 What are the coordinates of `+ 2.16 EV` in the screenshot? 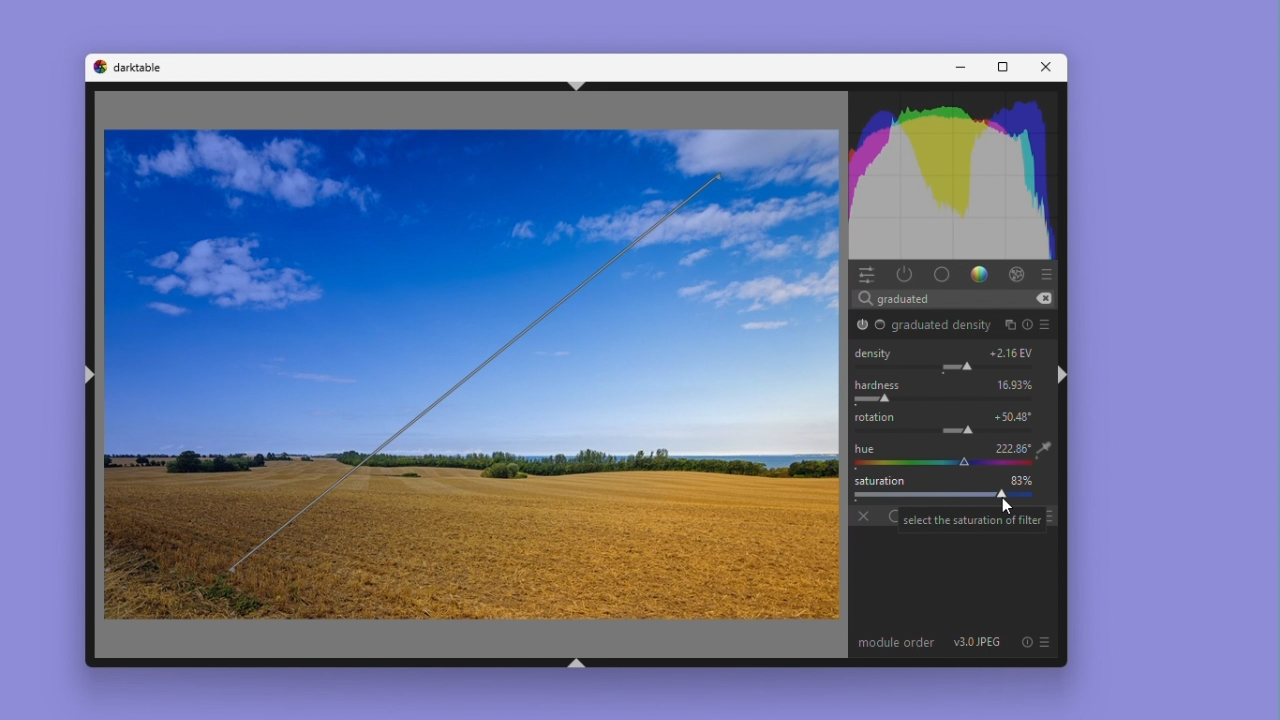 It's located at (1010, 351).